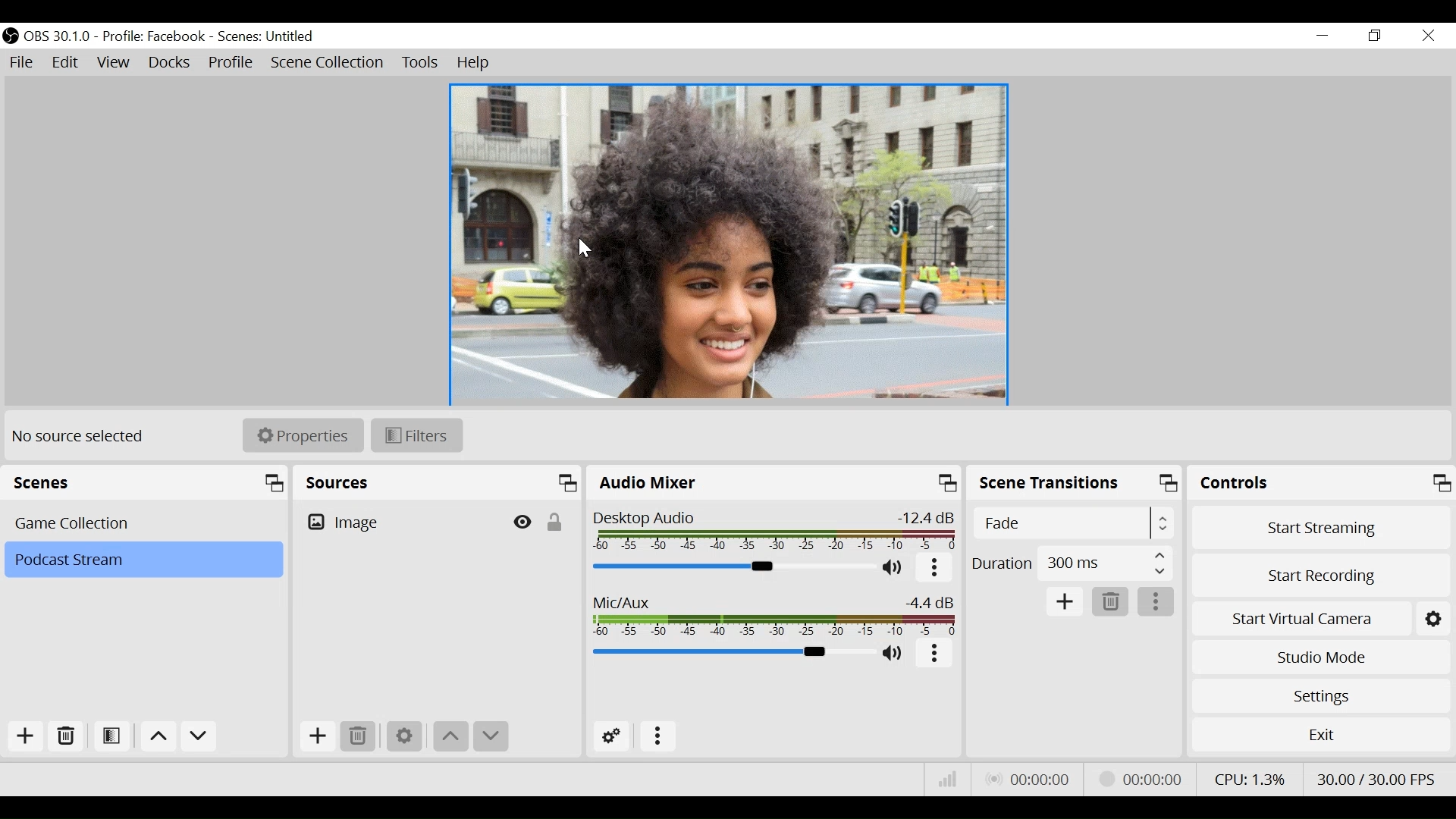  What do you see at coordinates (1076, 482) in the screenshot?
I see `Scene Transition` at bounding box center [1076, 482].